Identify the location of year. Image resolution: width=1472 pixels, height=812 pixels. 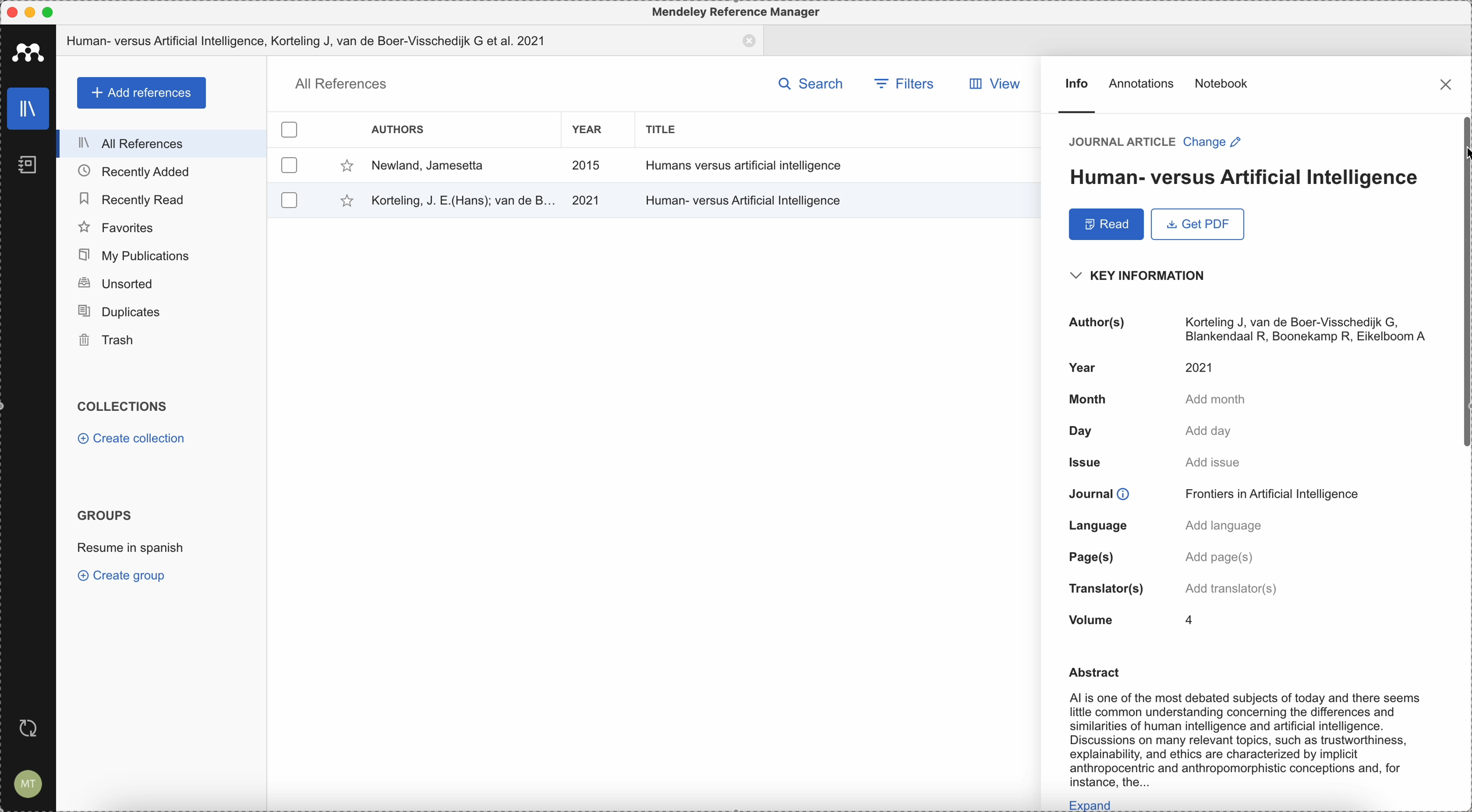
(587, 130).